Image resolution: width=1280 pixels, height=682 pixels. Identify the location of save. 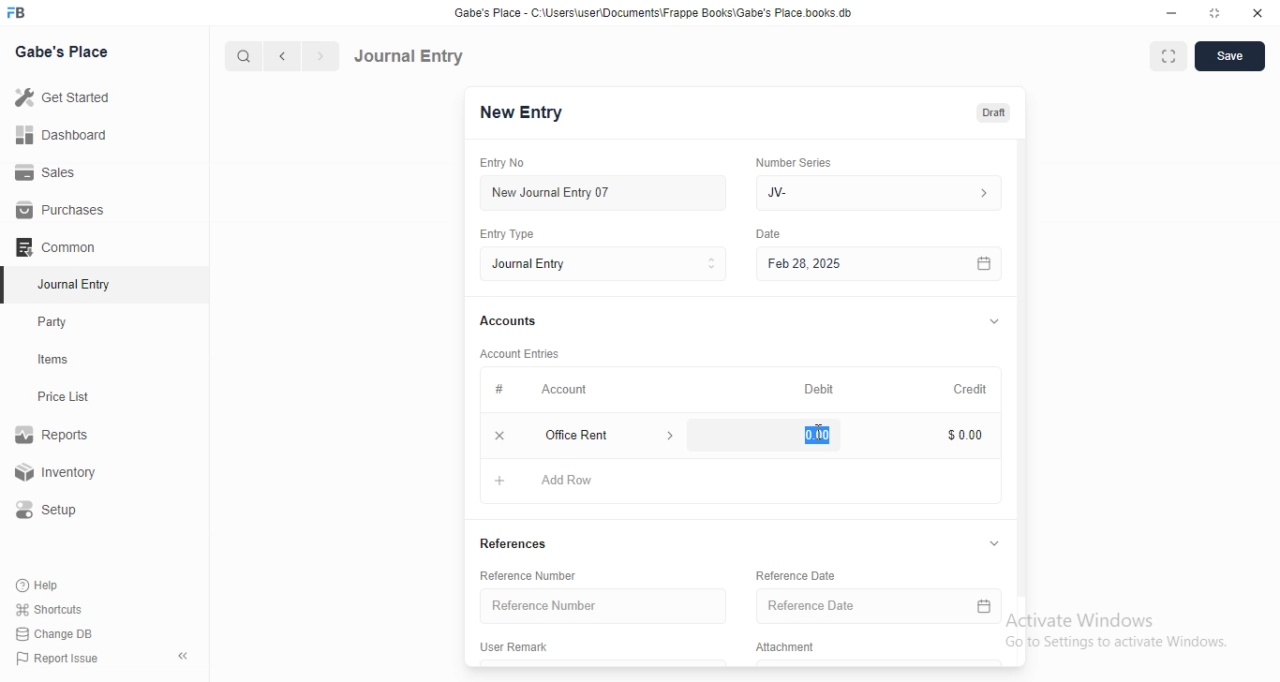
(1231, 56).